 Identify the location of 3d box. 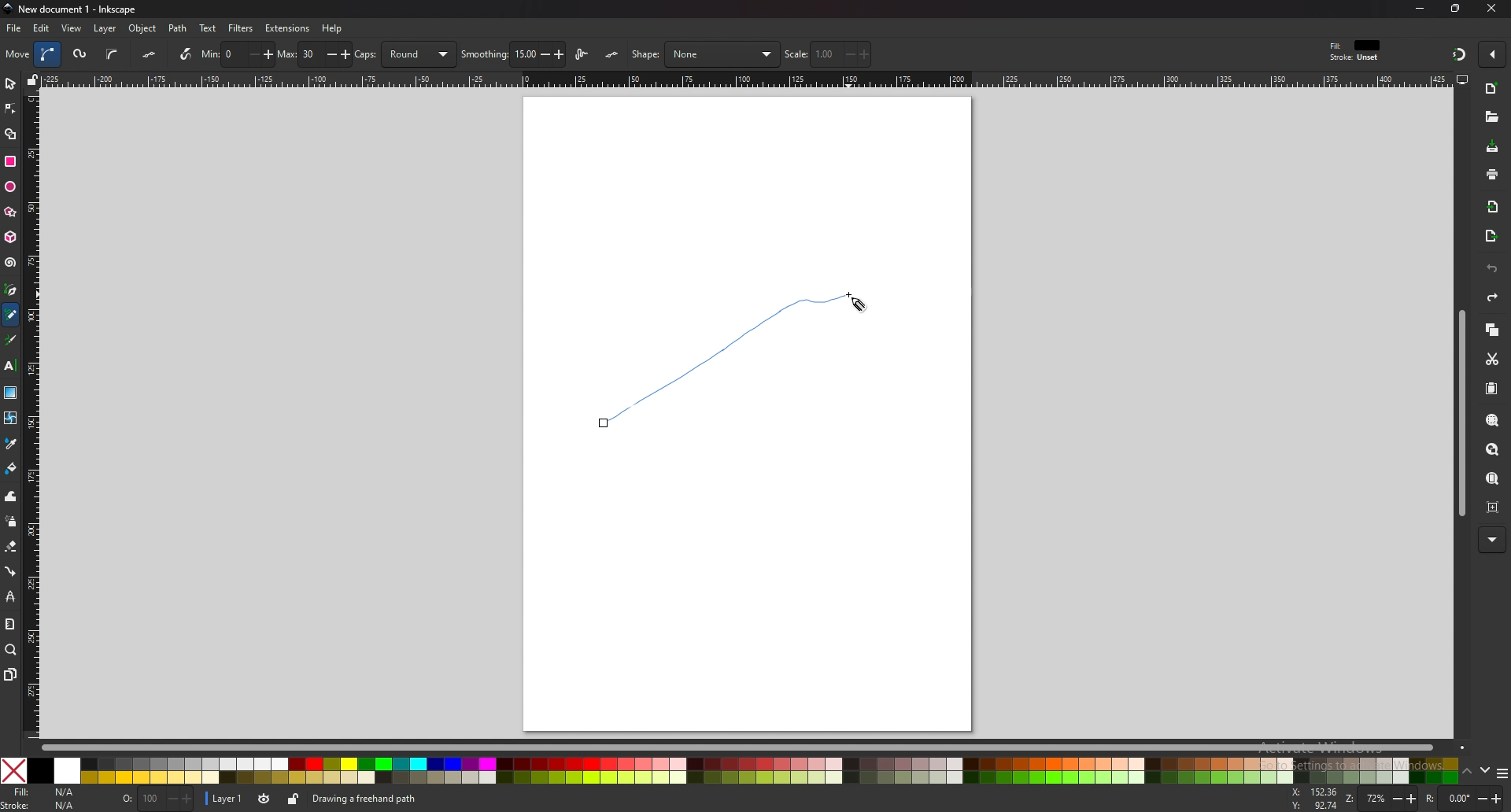
(10, 238).